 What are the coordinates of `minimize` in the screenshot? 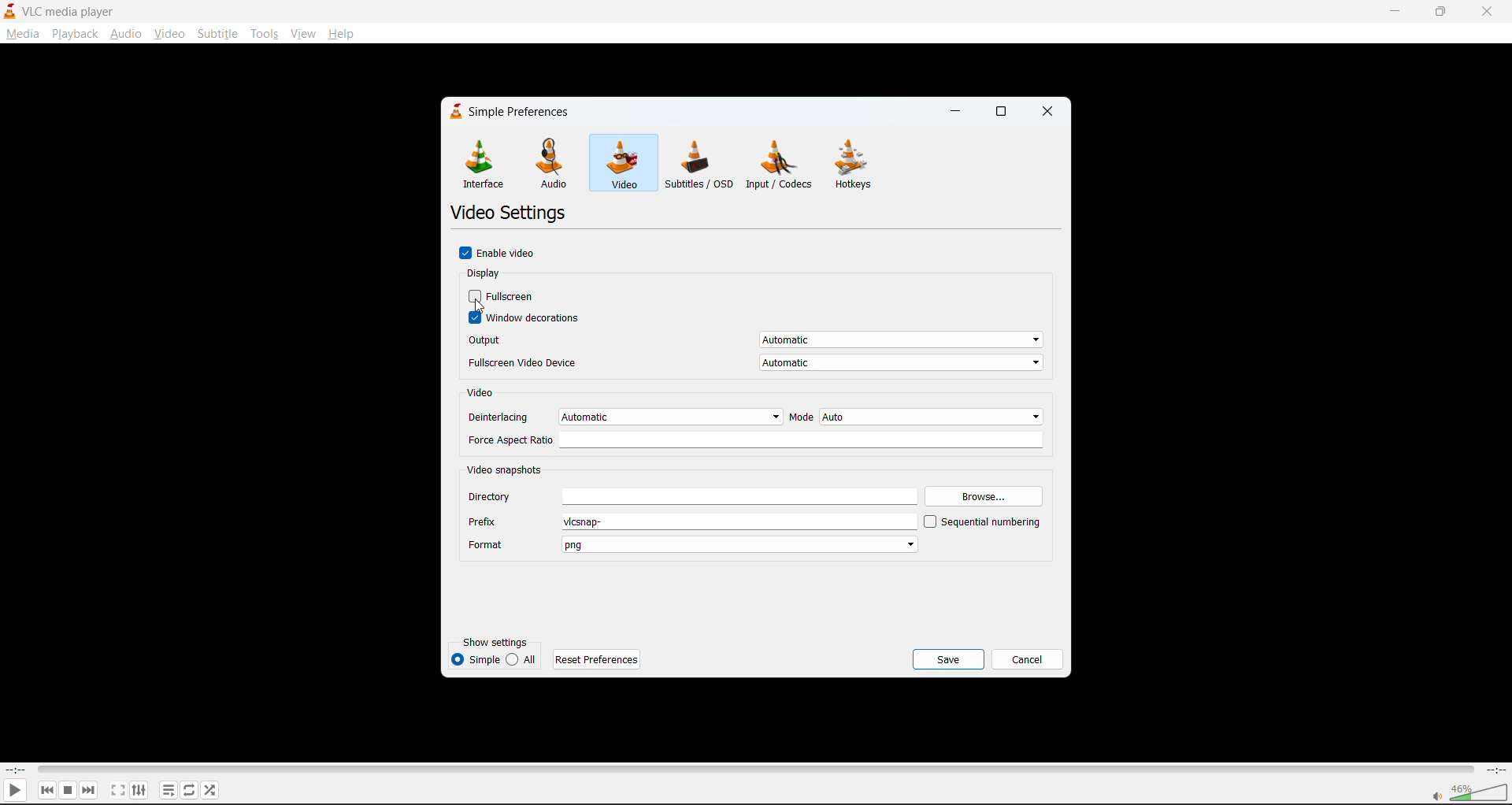 It's located at (1393, 12).